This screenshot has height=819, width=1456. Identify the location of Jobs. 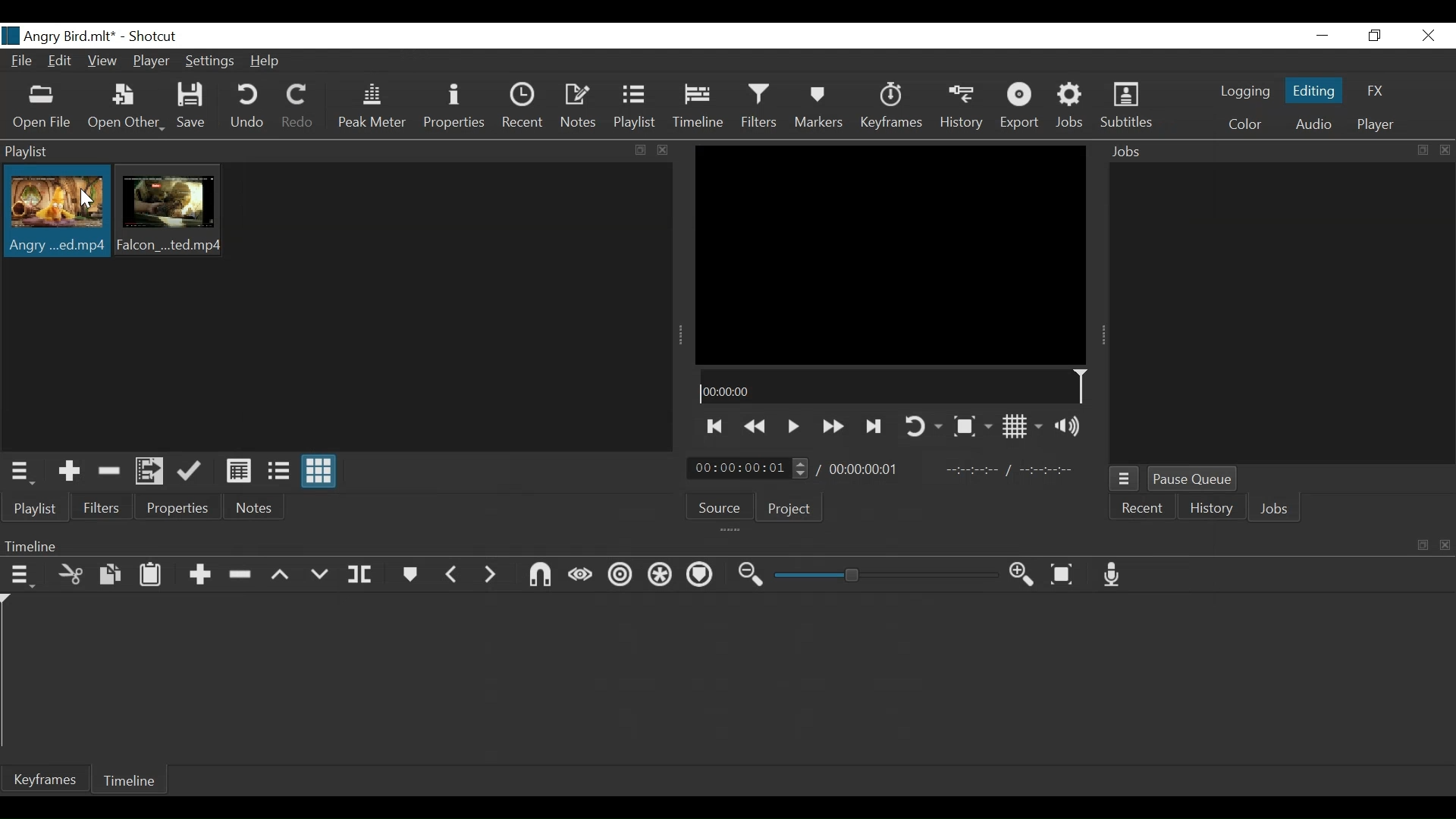
(1272, 511).